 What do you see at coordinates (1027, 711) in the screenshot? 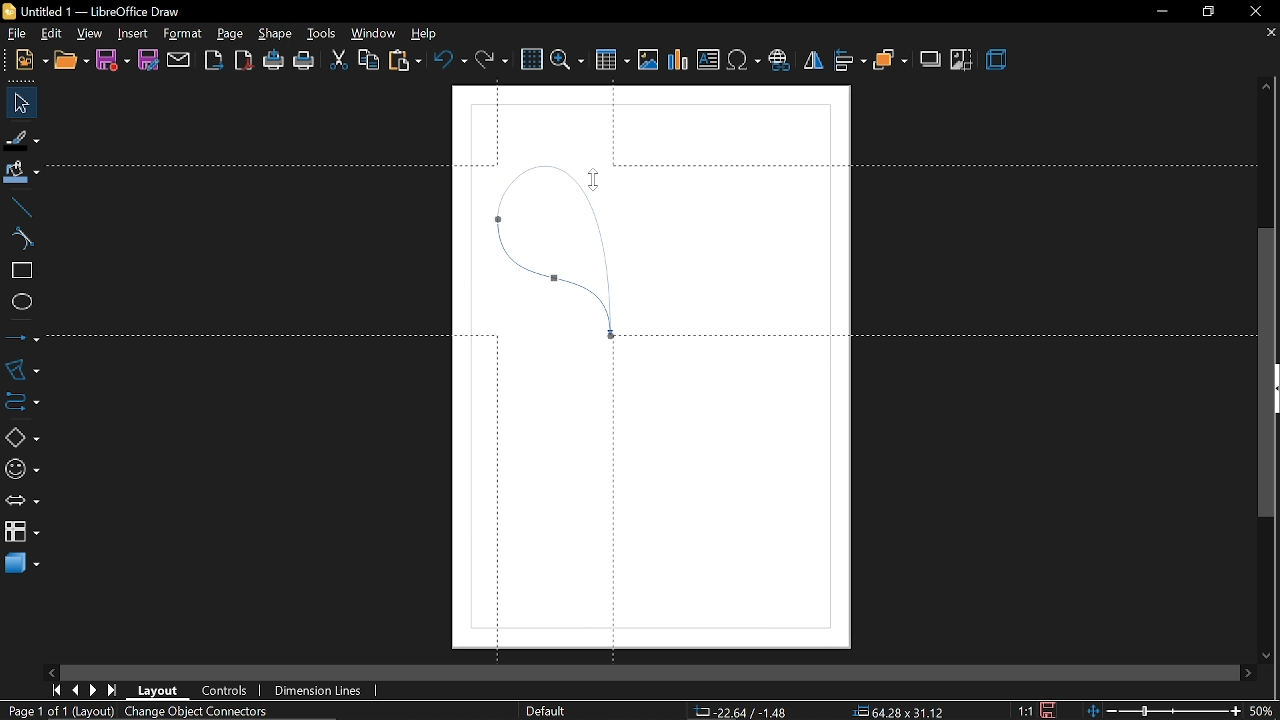
I see `1:1` at bounding box center [1027, 711].